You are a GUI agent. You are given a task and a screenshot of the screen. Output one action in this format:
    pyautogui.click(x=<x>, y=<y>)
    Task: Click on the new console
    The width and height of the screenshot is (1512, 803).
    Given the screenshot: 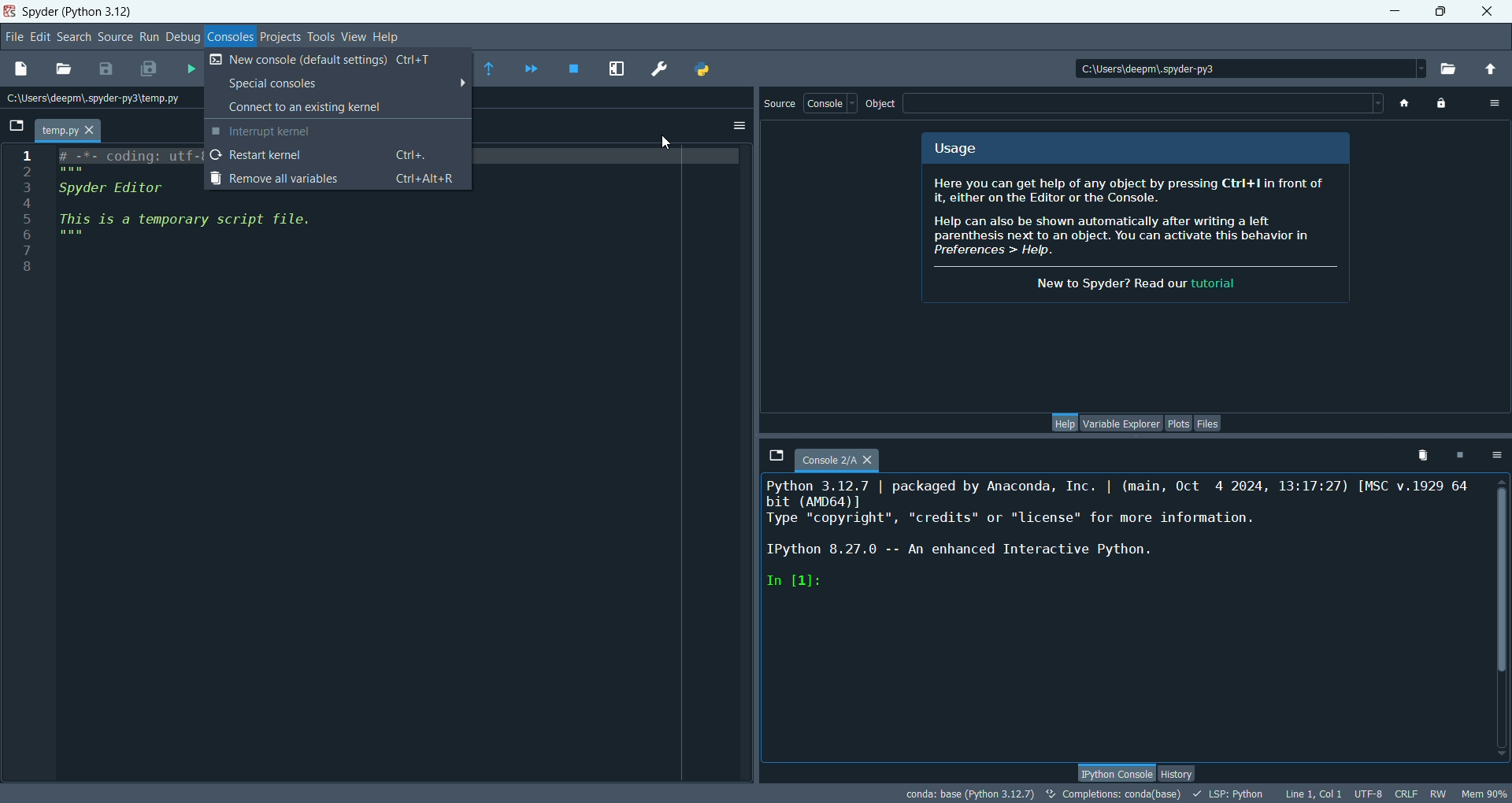 What is the action you would take?
    pyautogui.click(x=339, y=61)
    